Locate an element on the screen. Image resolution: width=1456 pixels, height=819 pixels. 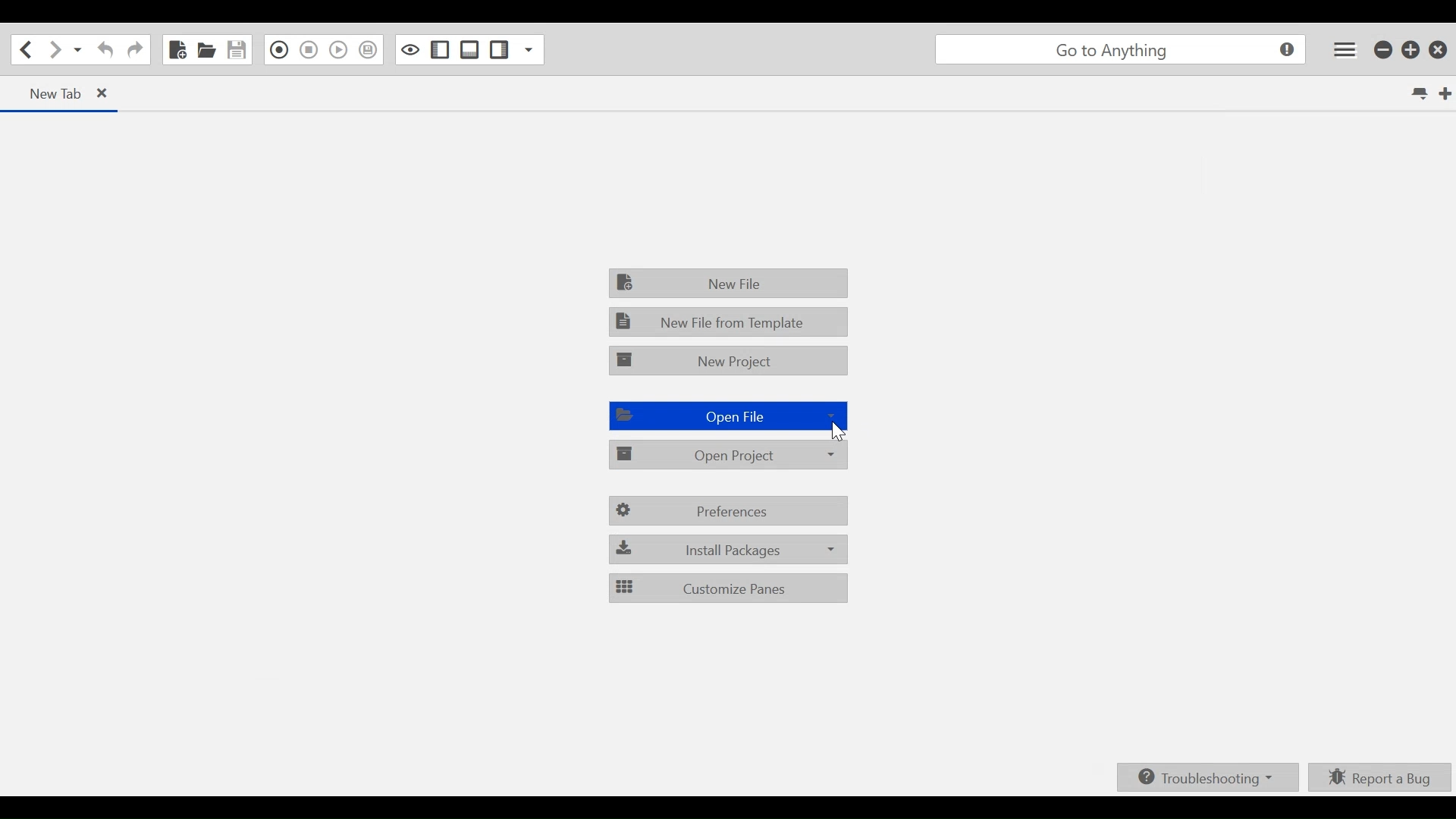
new Tab is located at coordinates (65, 94).